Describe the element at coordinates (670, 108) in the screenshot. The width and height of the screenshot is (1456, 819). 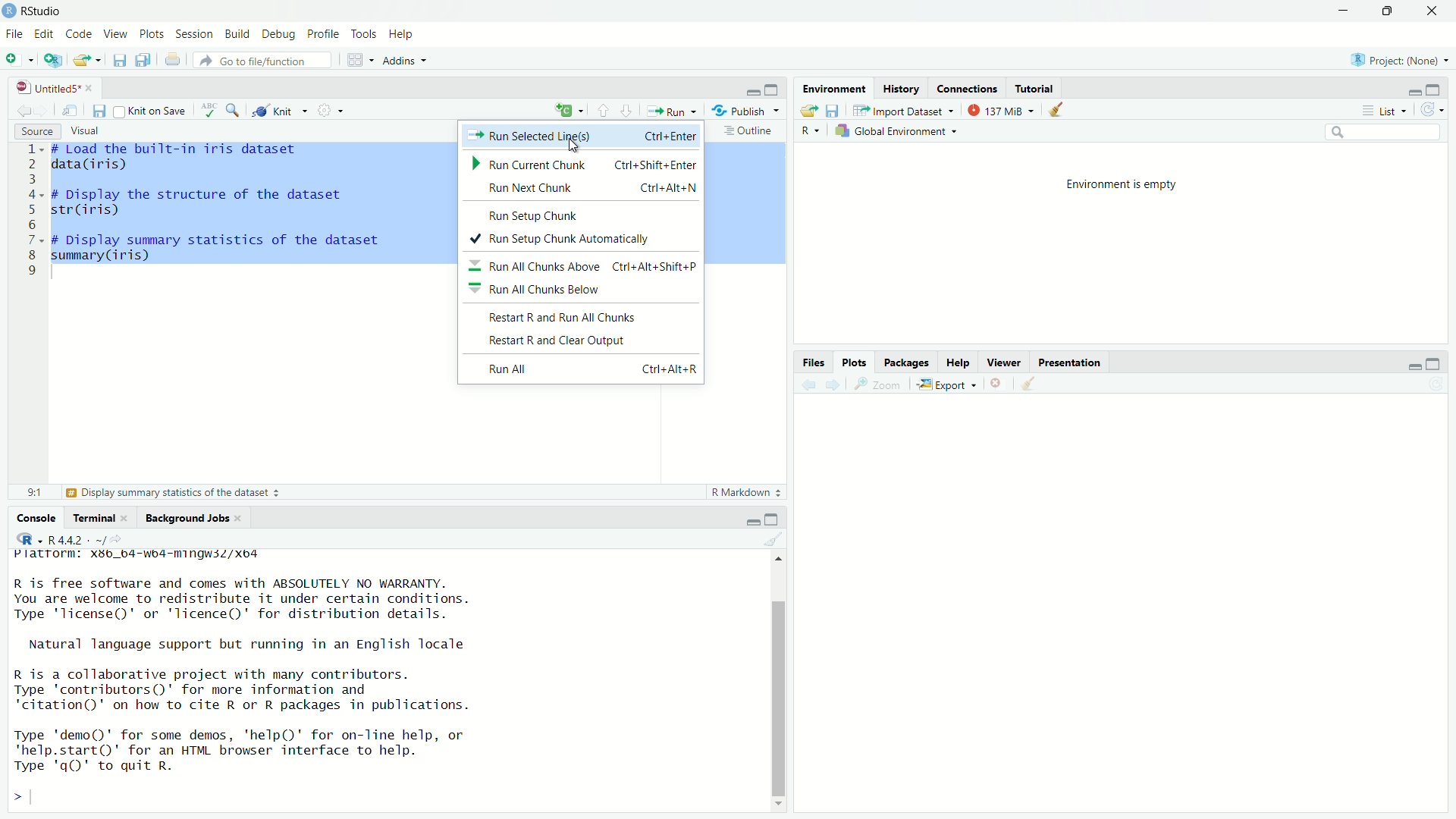
I see `Run current line` at that location.